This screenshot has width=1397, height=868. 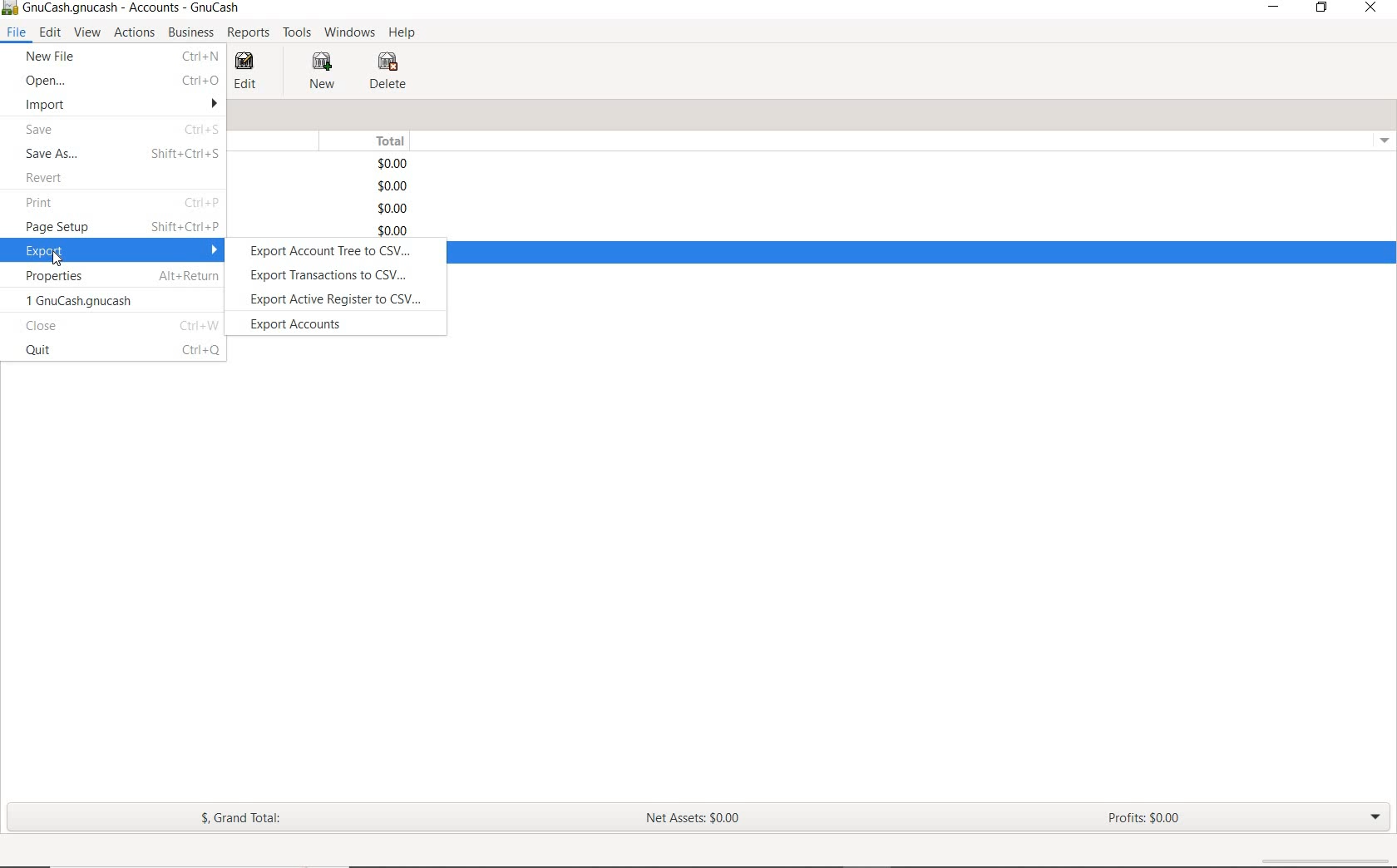 I want to click on RESTORE DOWN, so click(x=1321, y=9).